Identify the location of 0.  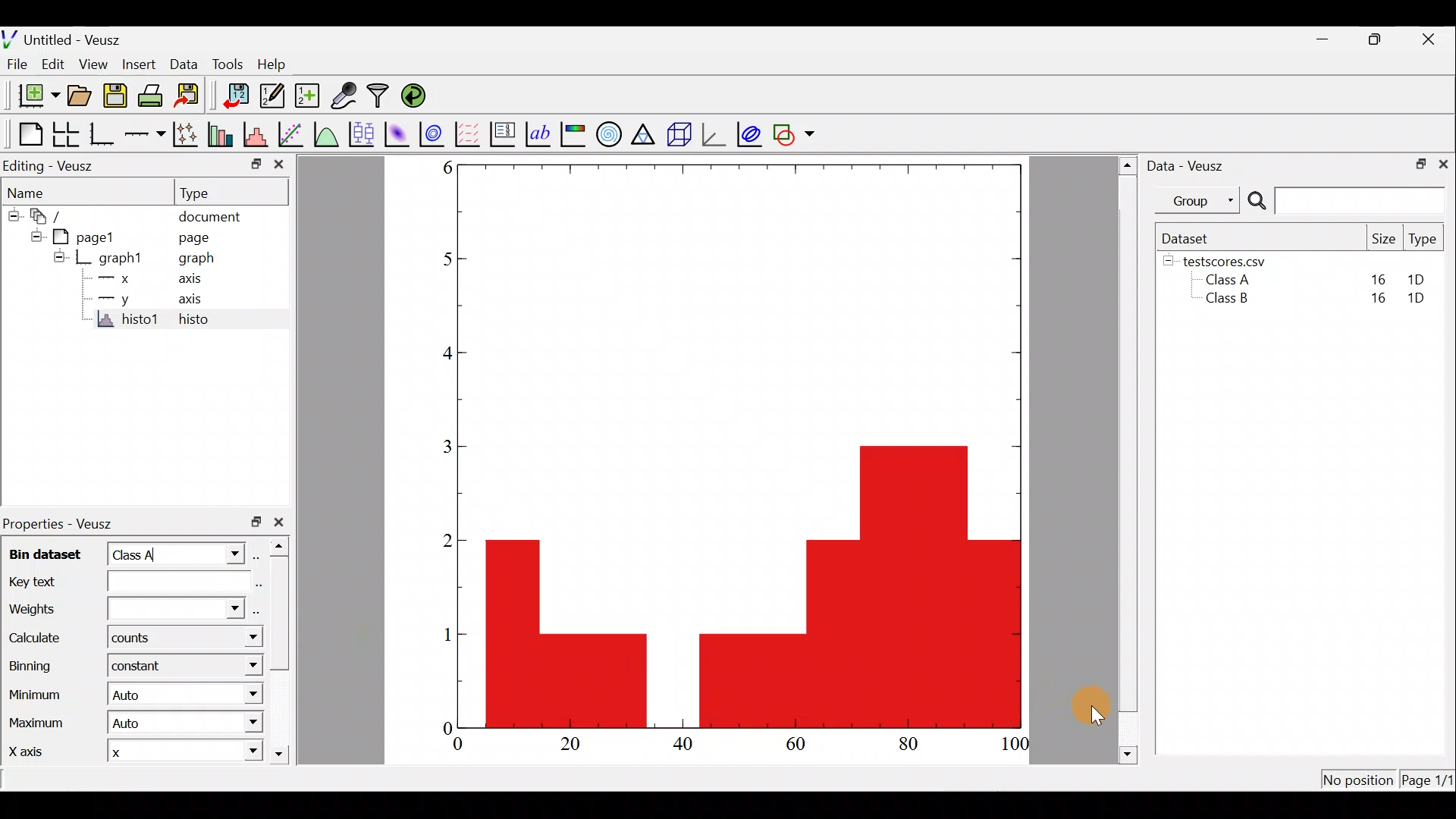
(441, 725).